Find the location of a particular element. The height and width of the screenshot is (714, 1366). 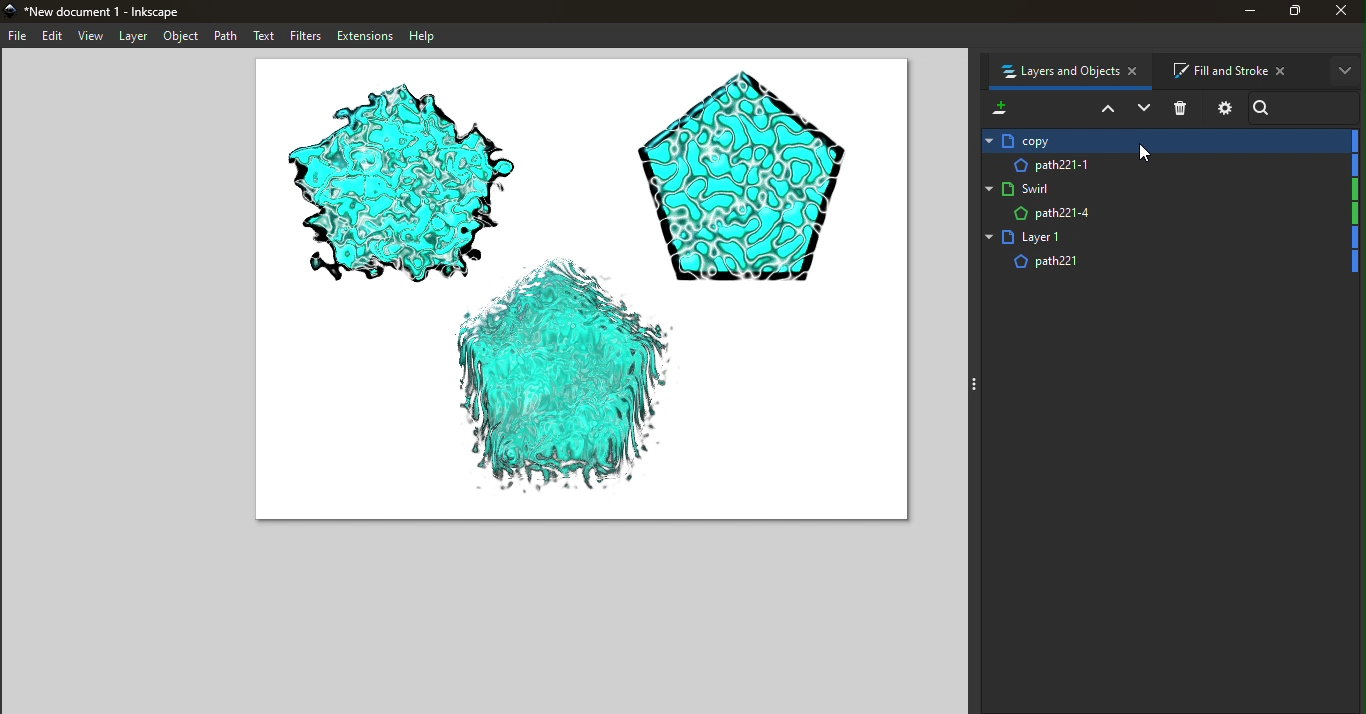

Search bar is located at coordinates (1305, 106).